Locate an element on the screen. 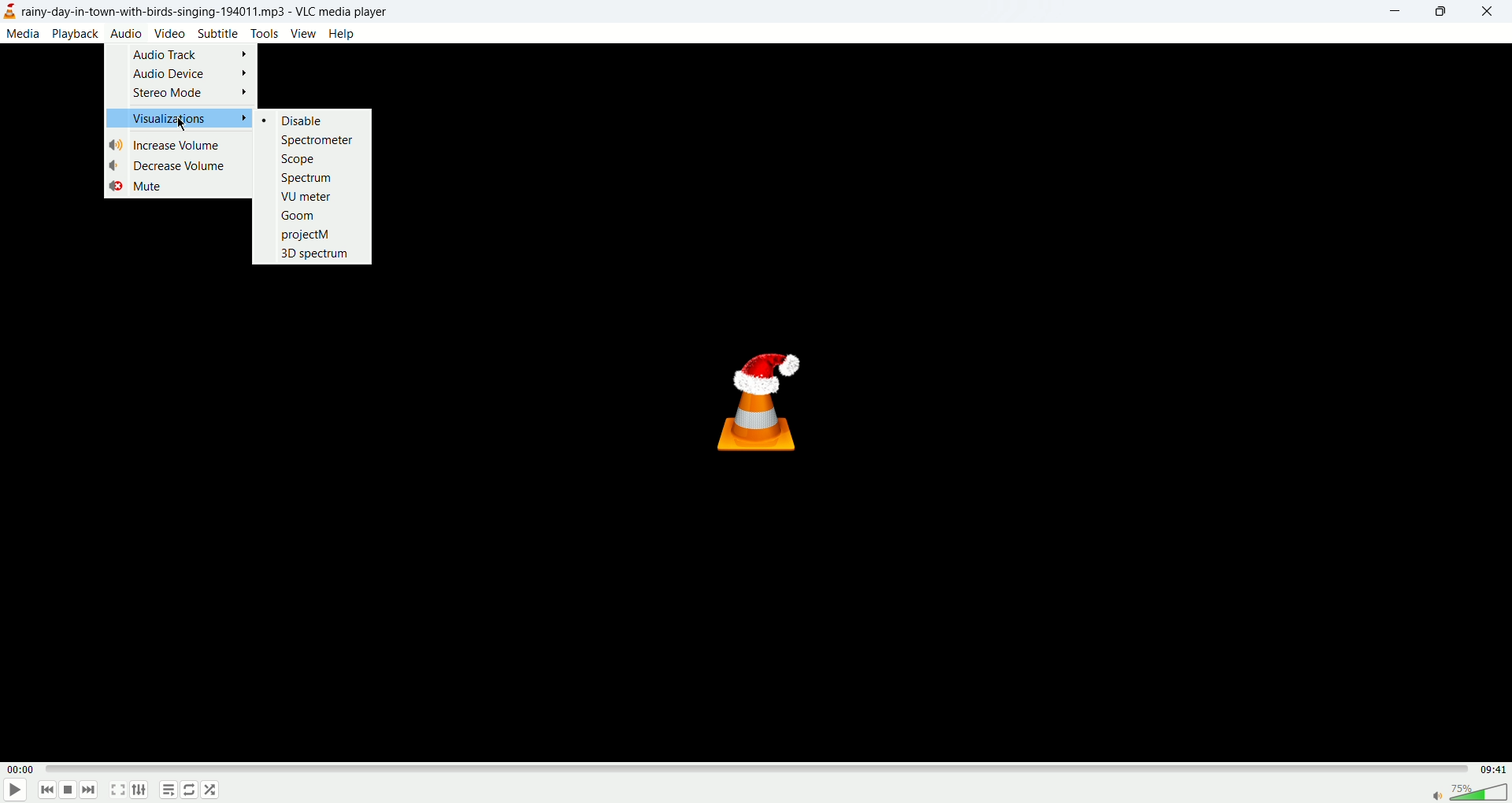 Image resolution: width=1512 pixels, height=803 pixels. shuffle is located at coordinates (213, 794).